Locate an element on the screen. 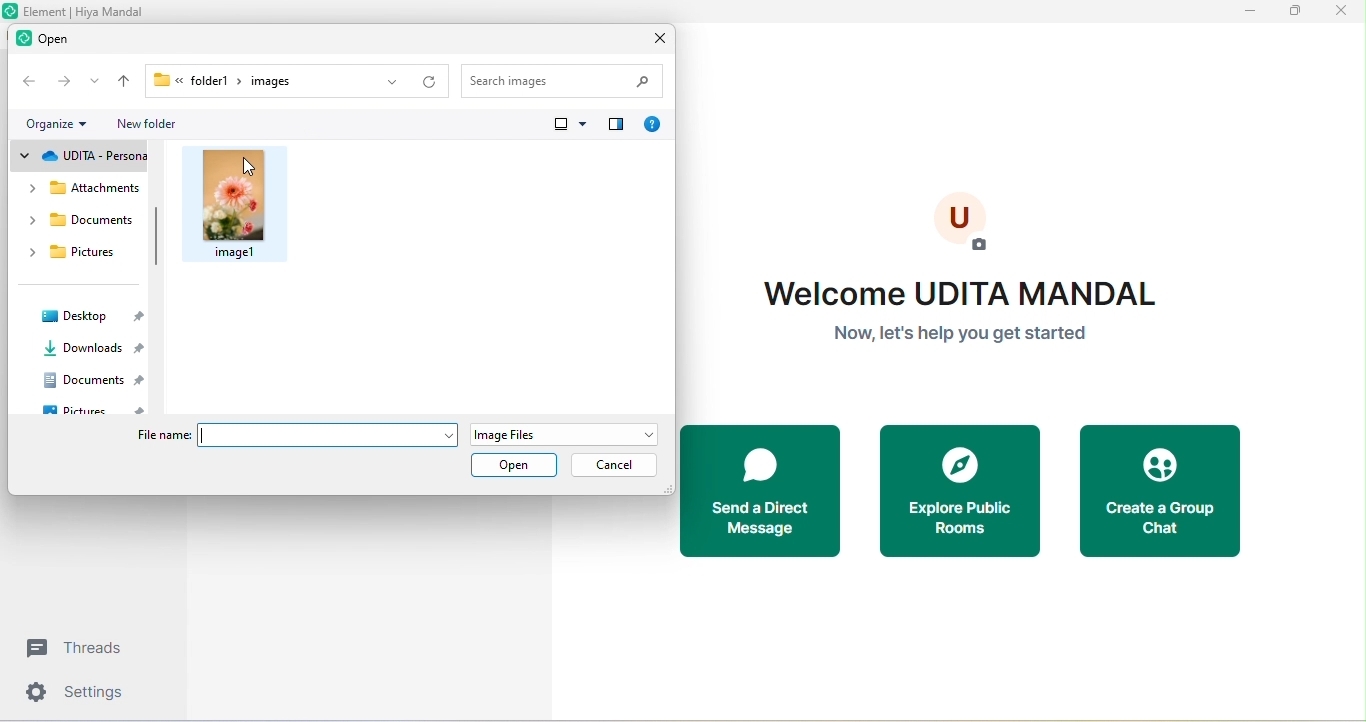 This screenshot has width=1366, height=722. forward is located at coordinates (63, 83).